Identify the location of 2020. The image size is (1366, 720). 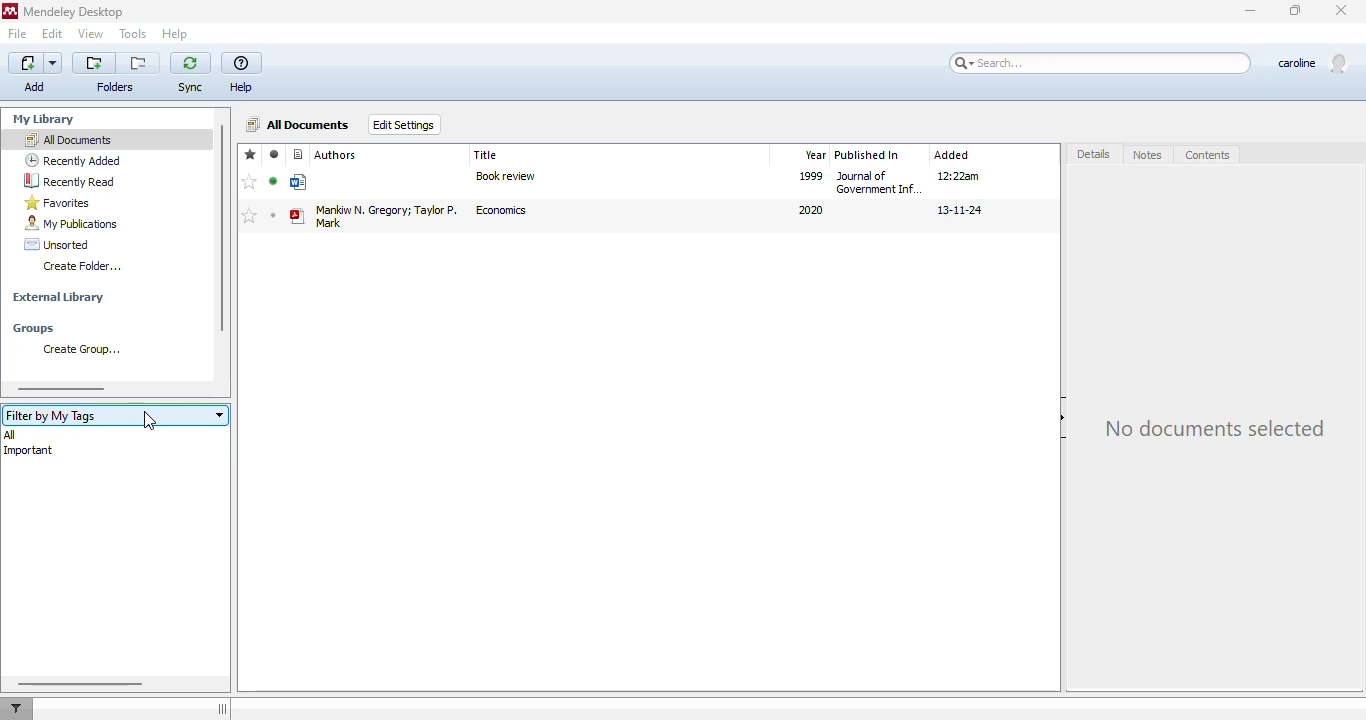
(809, 210).